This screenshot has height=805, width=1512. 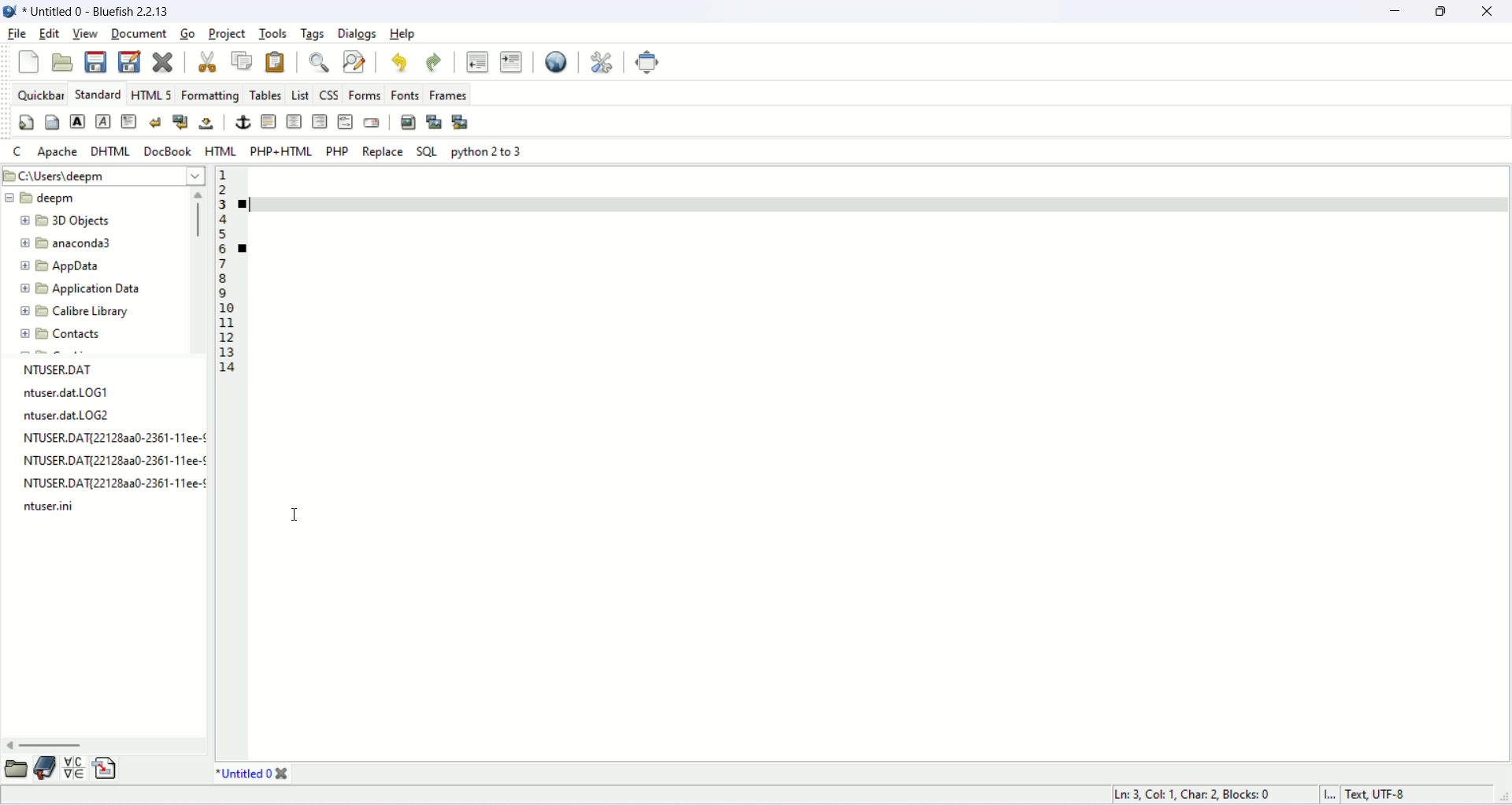 I want to click on C, so click(x=15, y=150).